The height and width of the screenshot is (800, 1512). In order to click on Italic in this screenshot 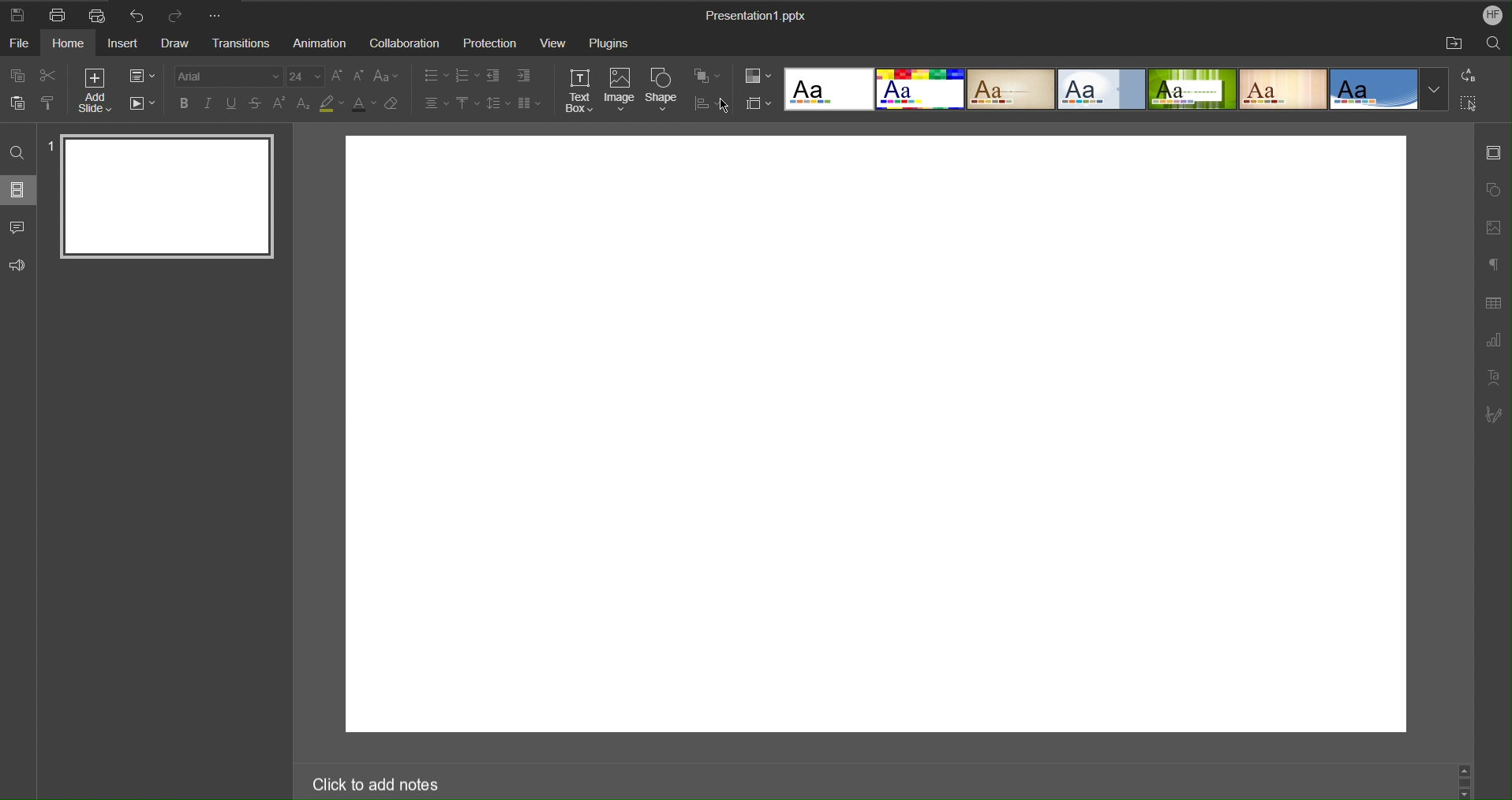, I will do `click(211, 104)`.